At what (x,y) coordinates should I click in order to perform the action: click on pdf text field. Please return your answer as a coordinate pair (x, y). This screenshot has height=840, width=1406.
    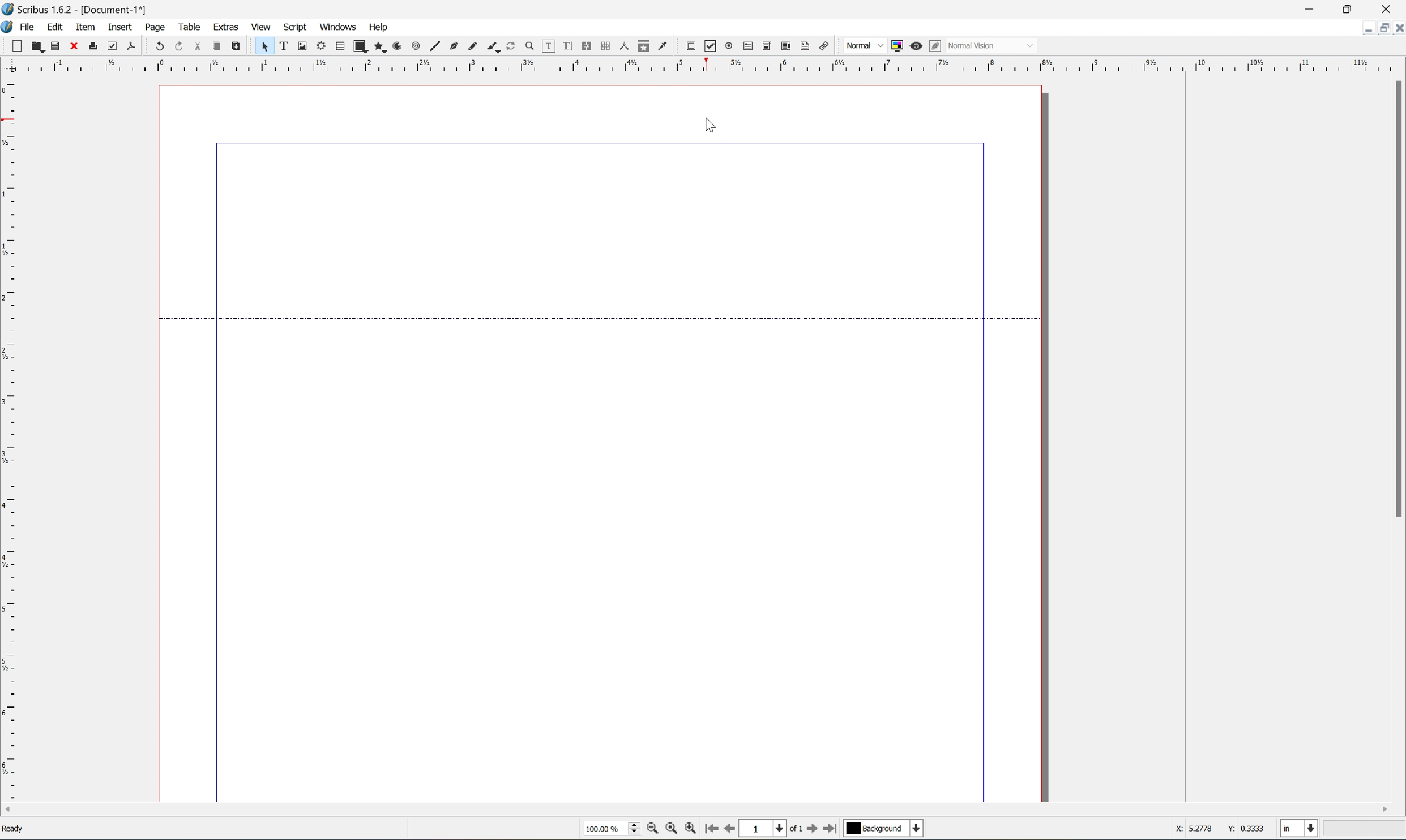
    Looking at the image, I should click on (750, 46).